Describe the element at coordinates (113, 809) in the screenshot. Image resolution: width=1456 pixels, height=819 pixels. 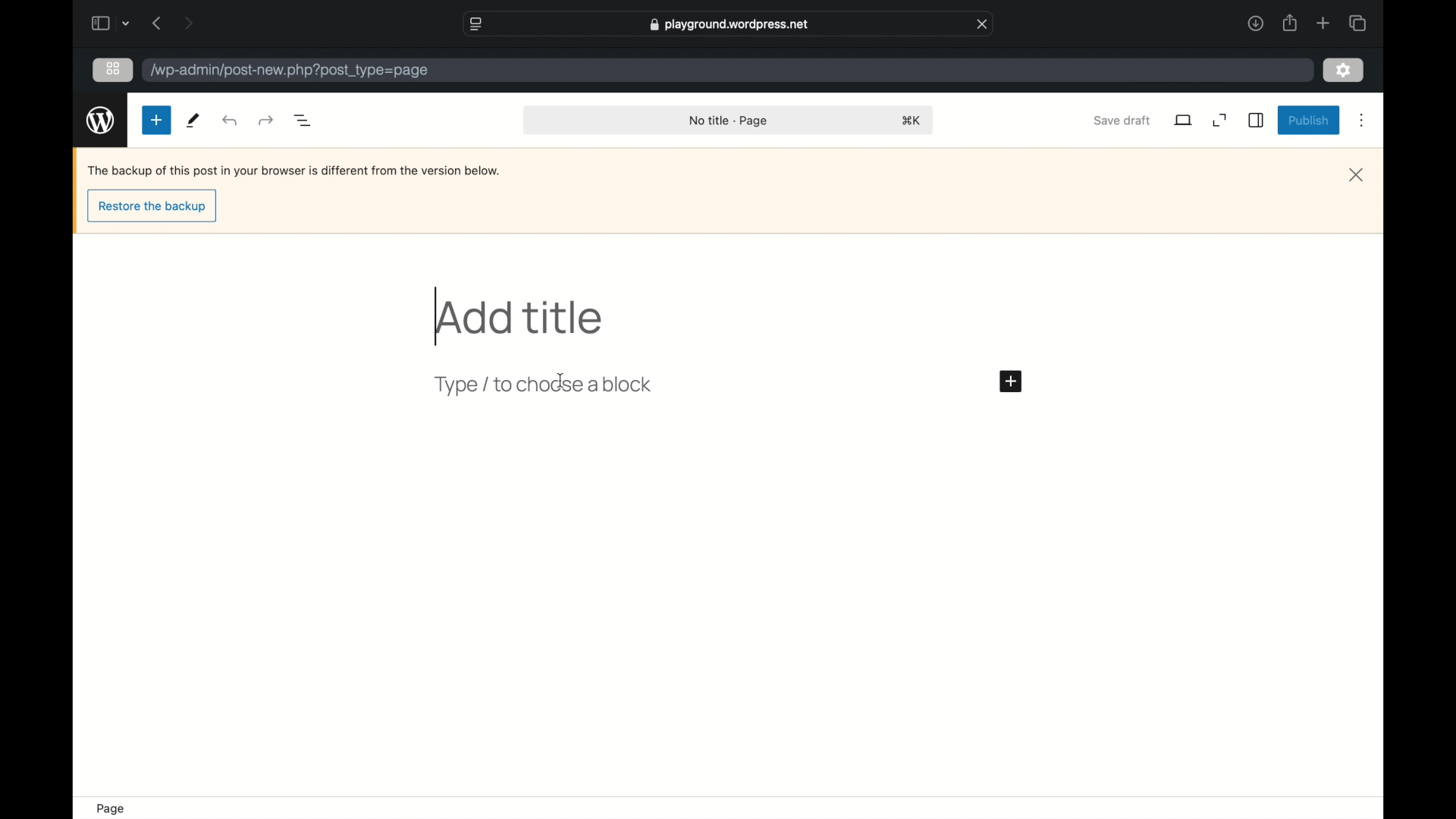
I see `page` at that location.